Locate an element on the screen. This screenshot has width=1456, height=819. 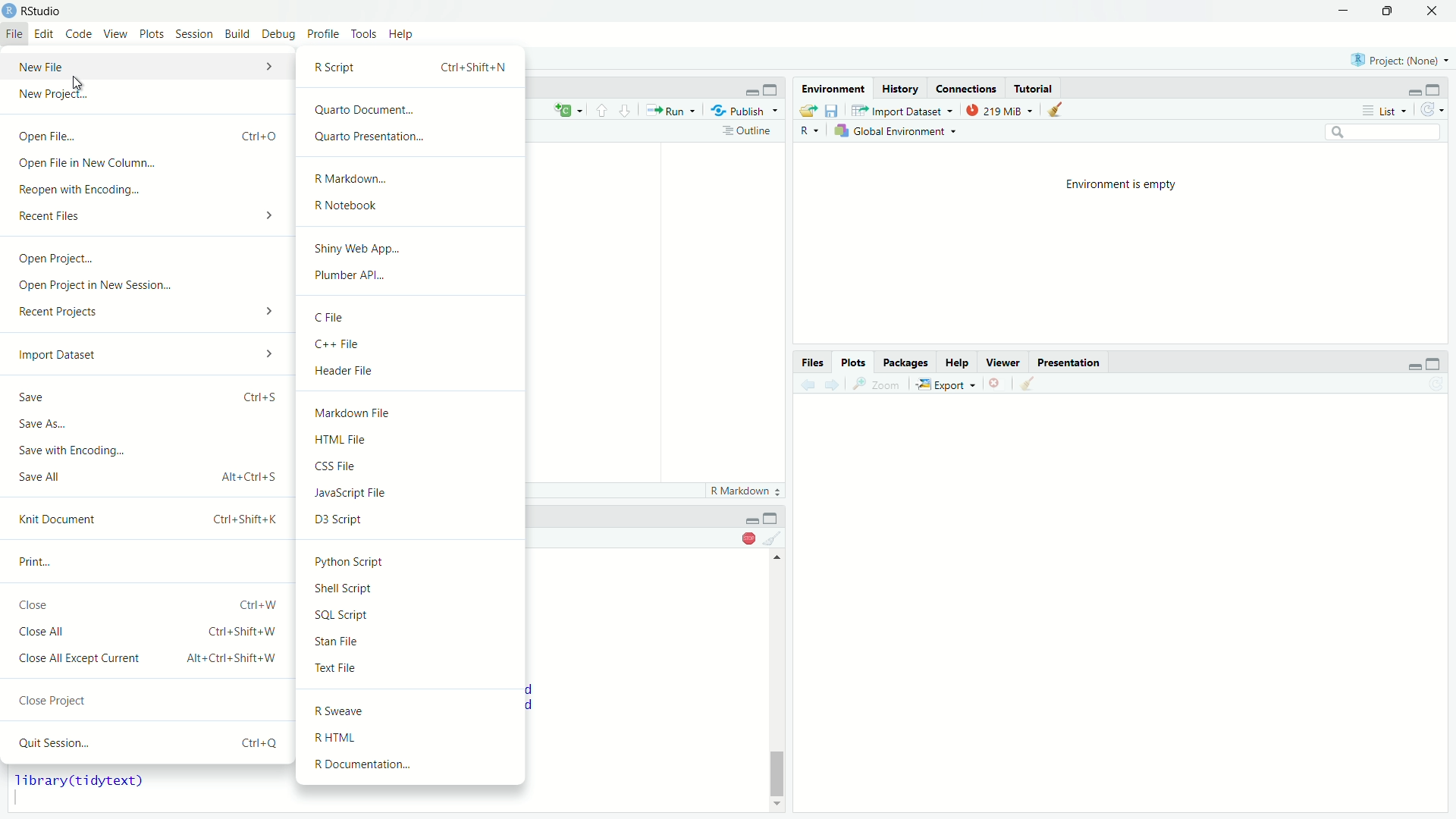
New Project... is located at coordinates (149, 94).